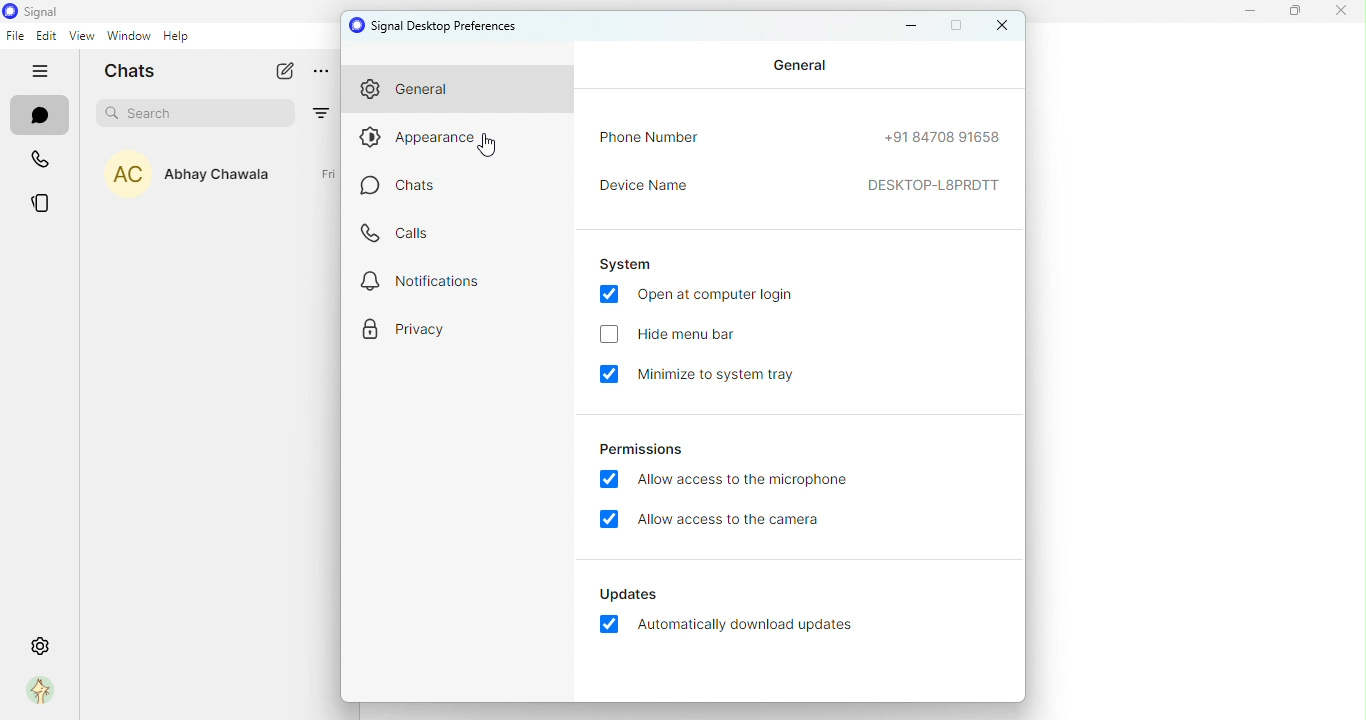 The height and width of the screenshot is (720, 1366). Describe the element at coordinates (676, 336) in the screenshot. I see `hide menu bar` at that location.